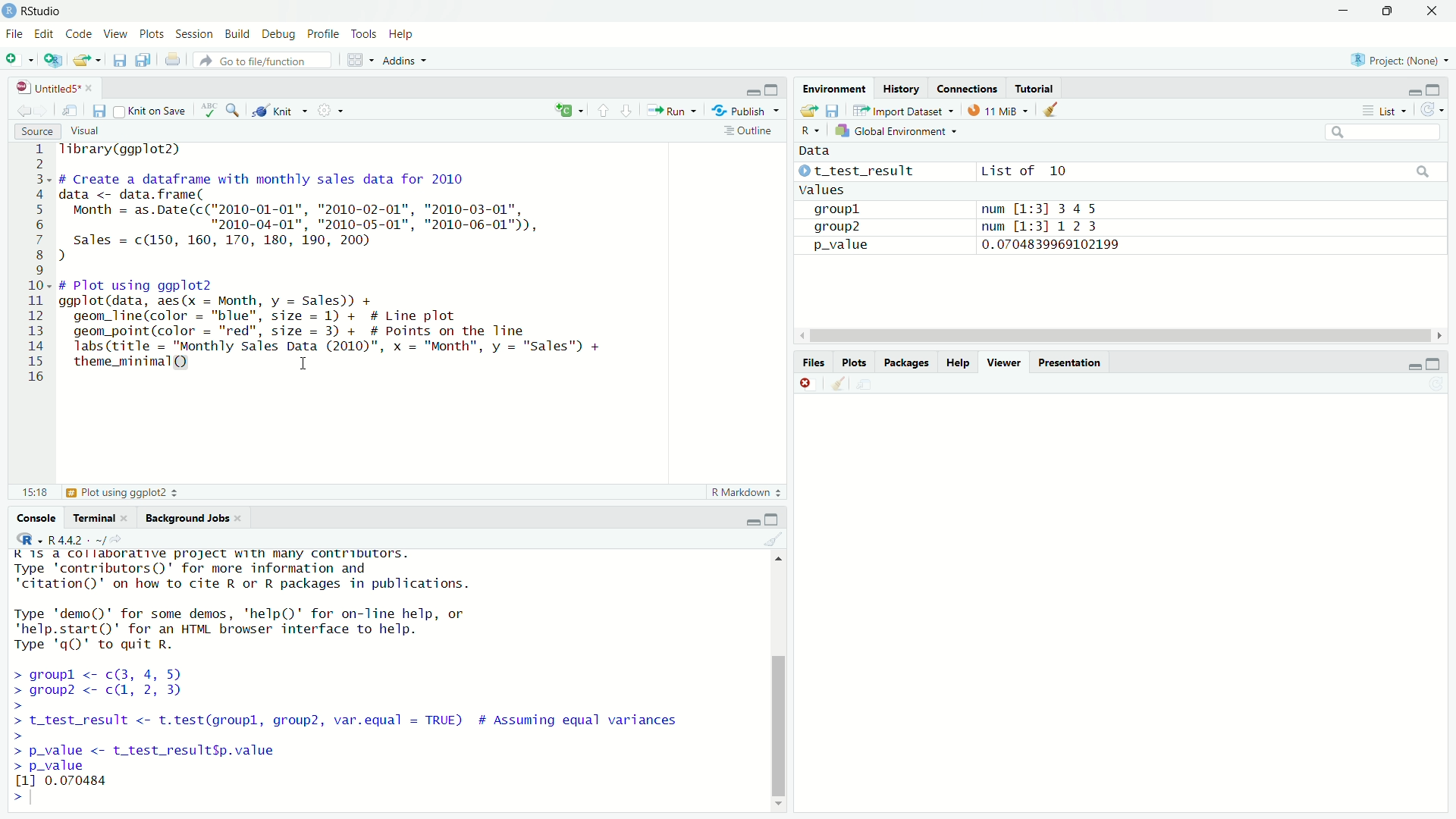  What do you see at coordinates (14, 31) in the screenshot?
I see `File` at bounding box center [14, 31].